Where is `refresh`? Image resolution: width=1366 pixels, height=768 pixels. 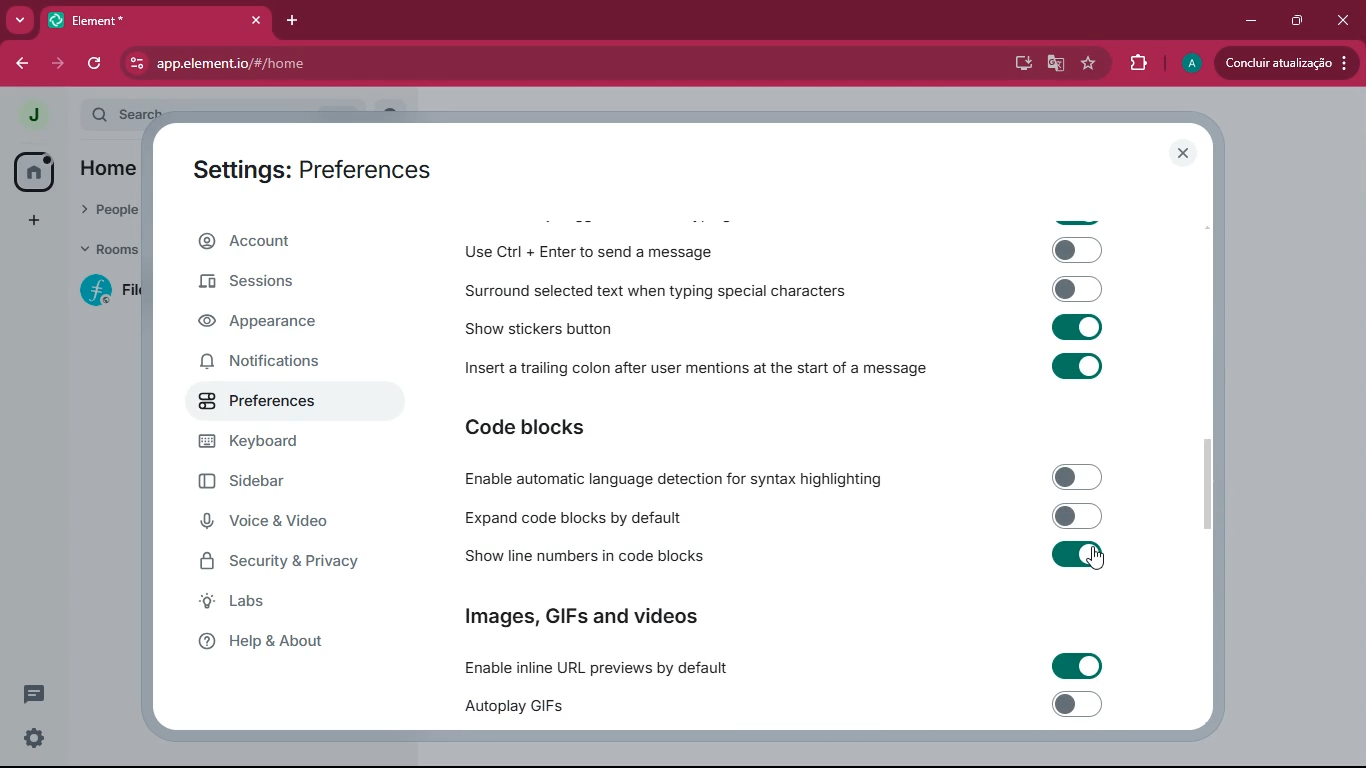
refresh is located at coordinates (98, 63).